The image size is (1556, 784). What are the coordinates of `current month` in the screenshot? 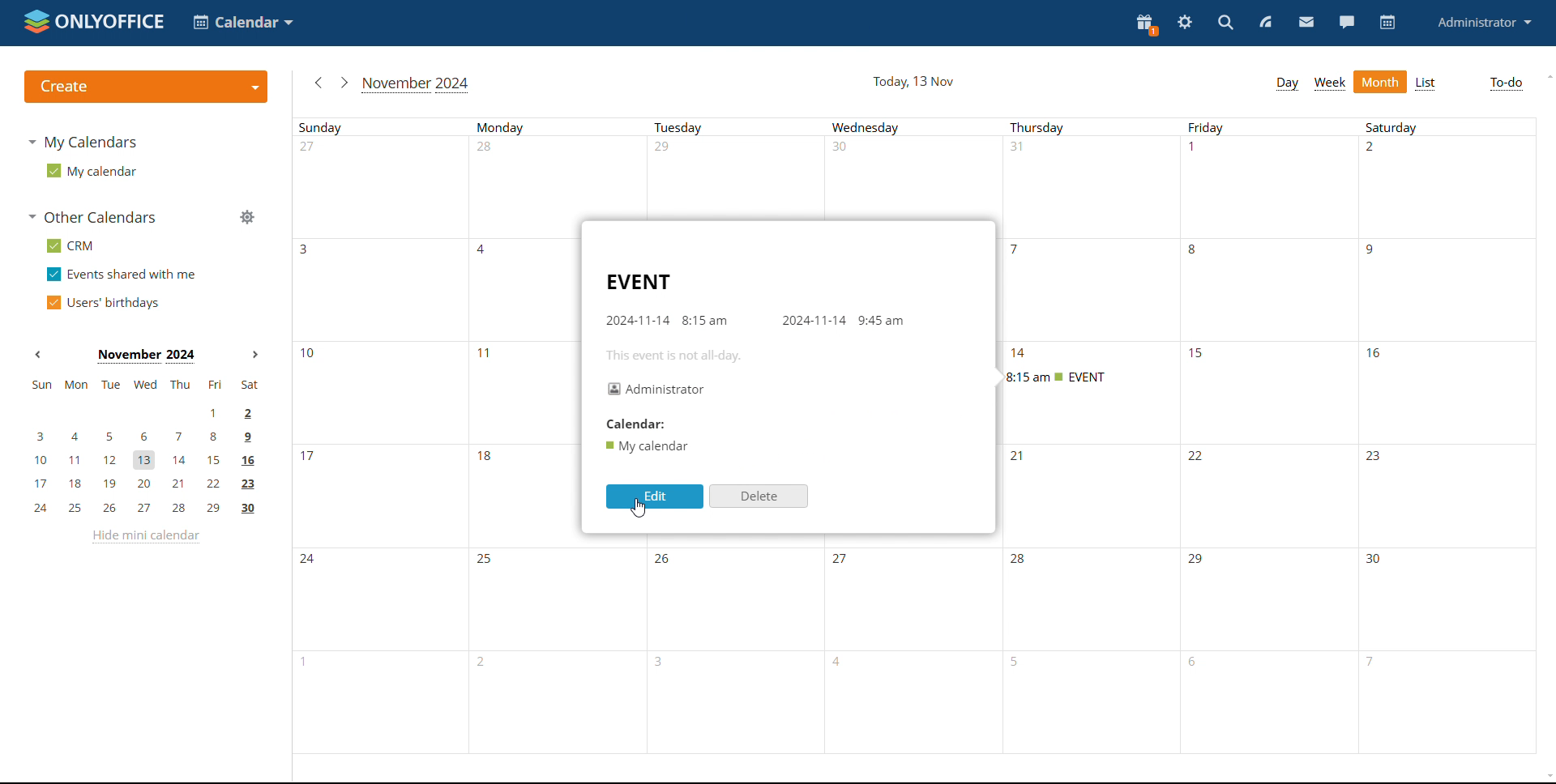 It's located at (417, 84).